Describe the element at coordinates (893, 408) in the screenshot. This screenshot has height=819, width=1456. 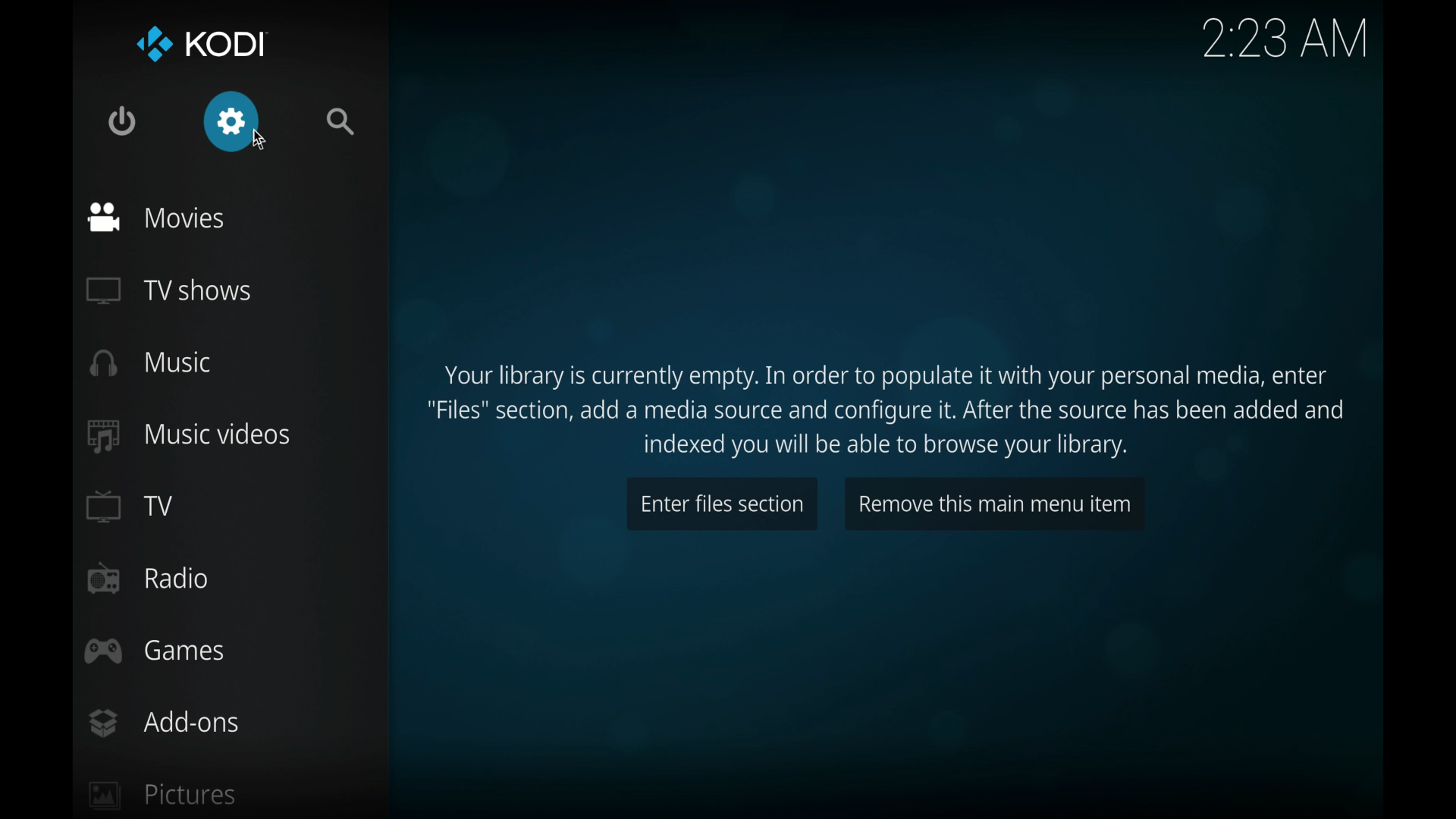
I see `Your library is currently empty. In order to populate it with your personal media, enter
"Files" section, add a media source and configure it. After the source has been added and
indexed you will be able to browse your library.` at that location.